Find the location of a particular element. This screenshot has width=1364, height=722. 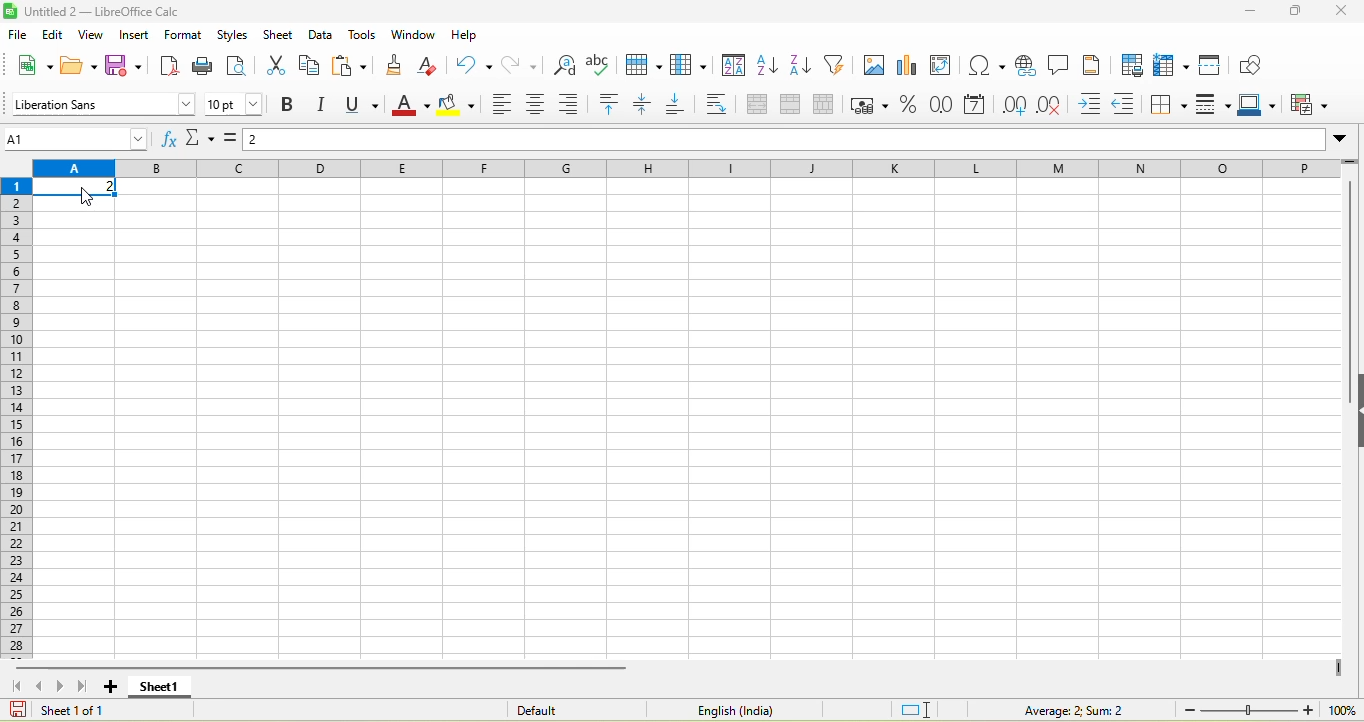

sheet 1 0f 1 is located at coordinates (64, 709).